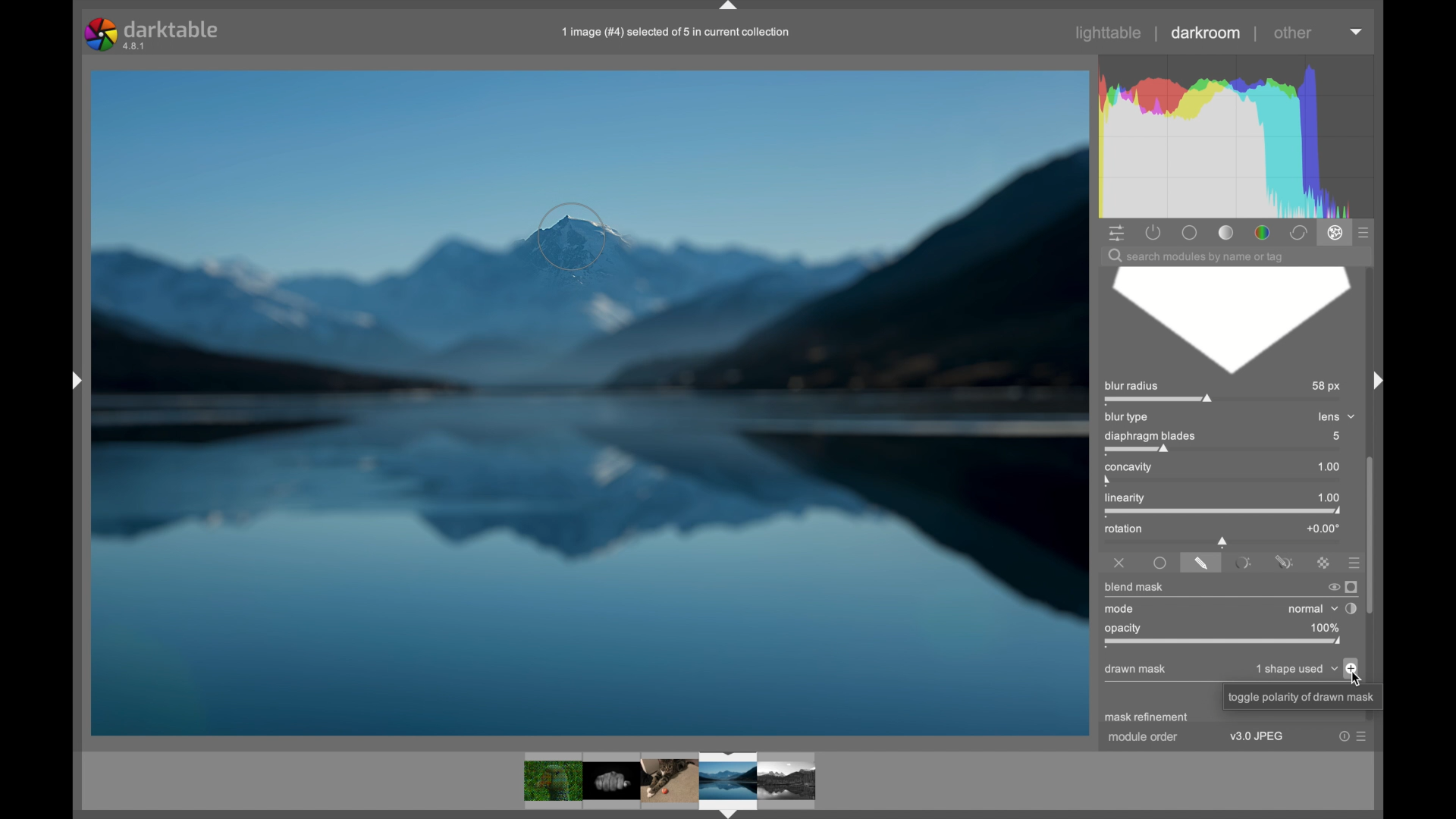 This screenshot has height=819, width=1456. I want to click on toggle polarity of drawn mask, so click(1352, 668).